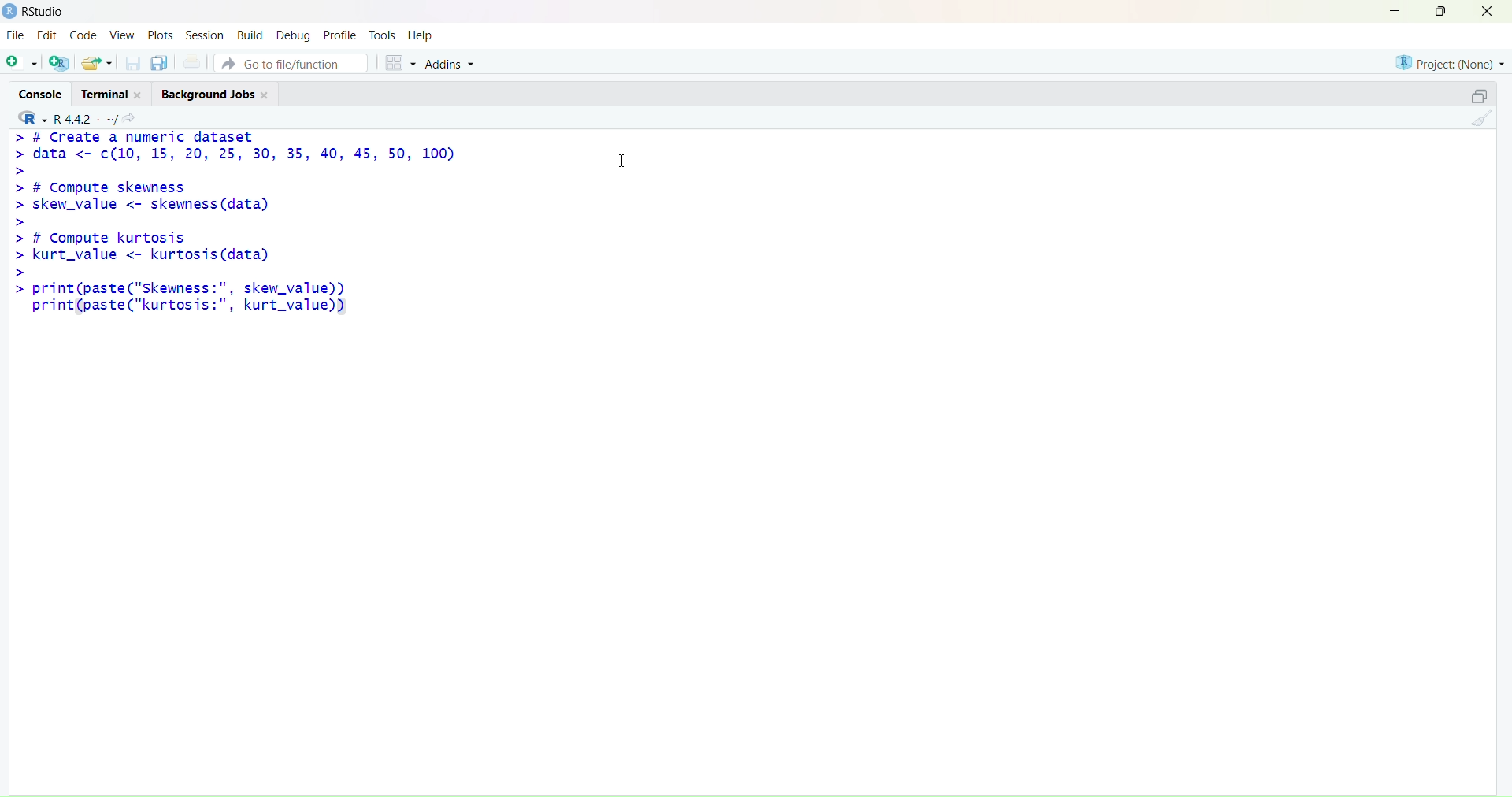 The image size is (1512, 797). Describe the element at coordinates (340, 32) in the screenshot. I see `Profile` at that location.